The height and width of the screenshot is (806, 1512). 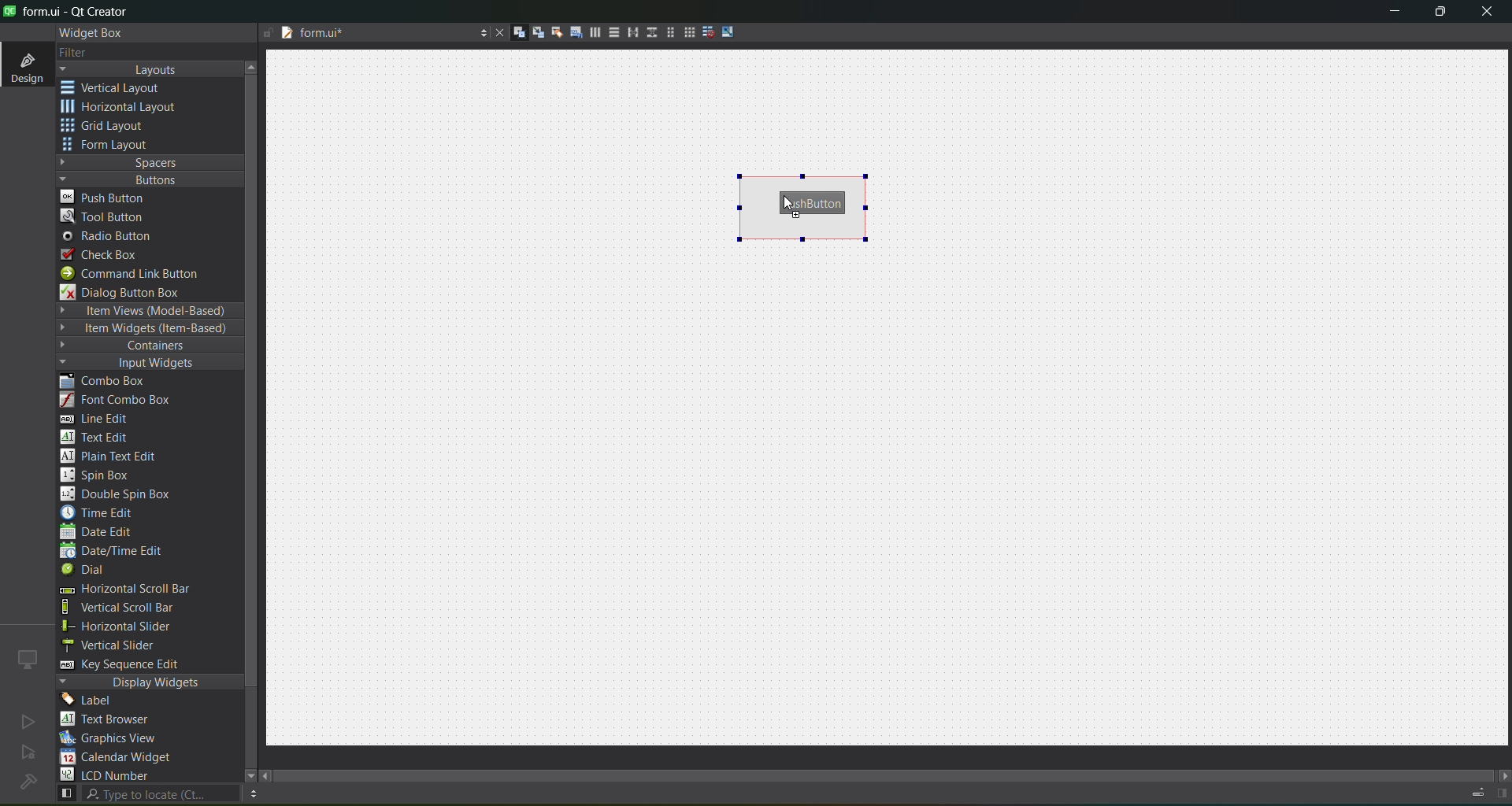 What do you see at coordinates (1441, 14) in the screenshot?
I see `maximize` at bounding box center [1441, 14].